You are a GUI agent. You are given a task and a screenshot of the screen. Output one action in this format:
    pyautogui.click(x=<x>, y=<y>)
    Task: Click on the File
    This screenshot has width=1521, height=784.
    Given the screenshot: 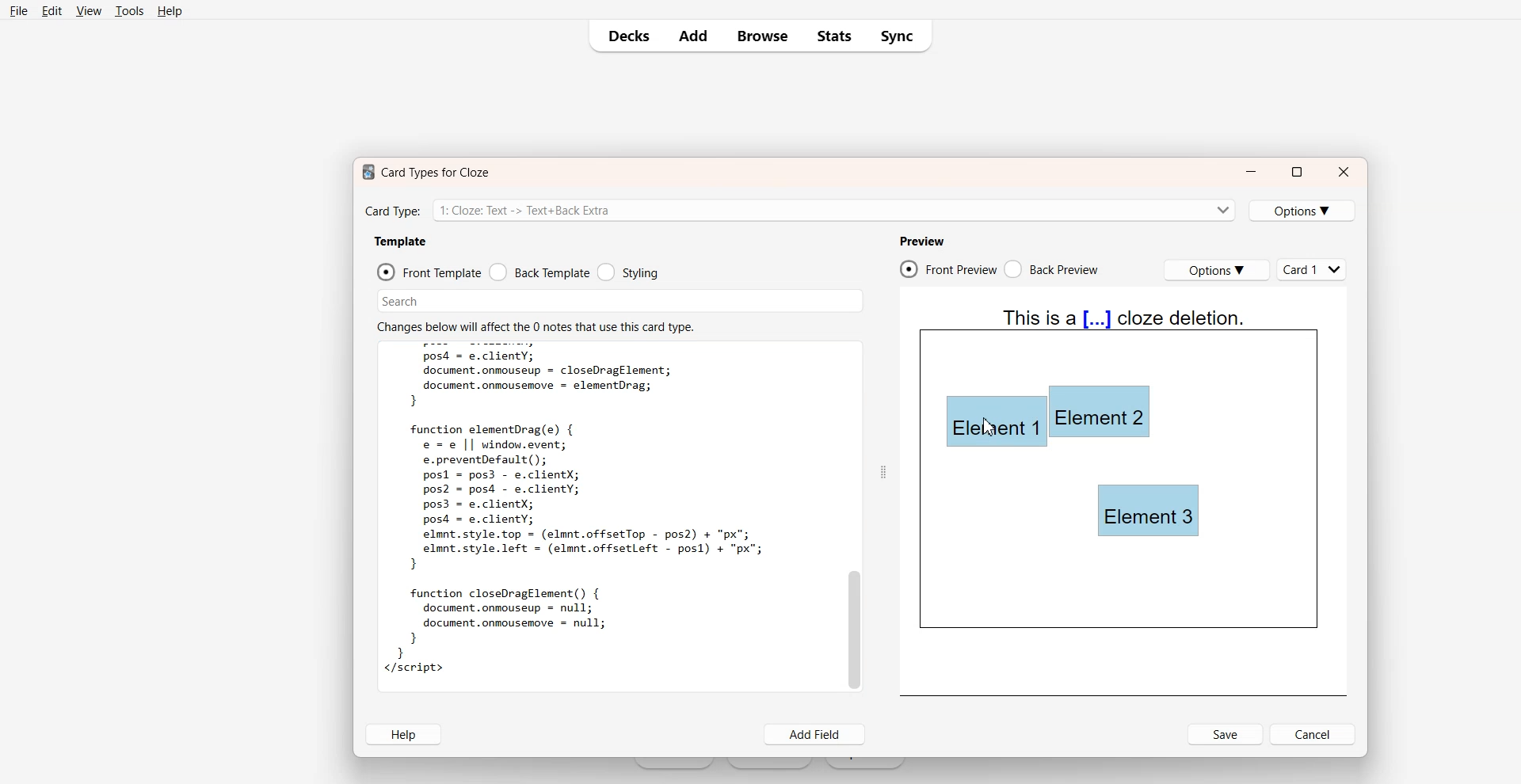 What is the action you would take?
    pyautogui.click(x=19, y=10)
    